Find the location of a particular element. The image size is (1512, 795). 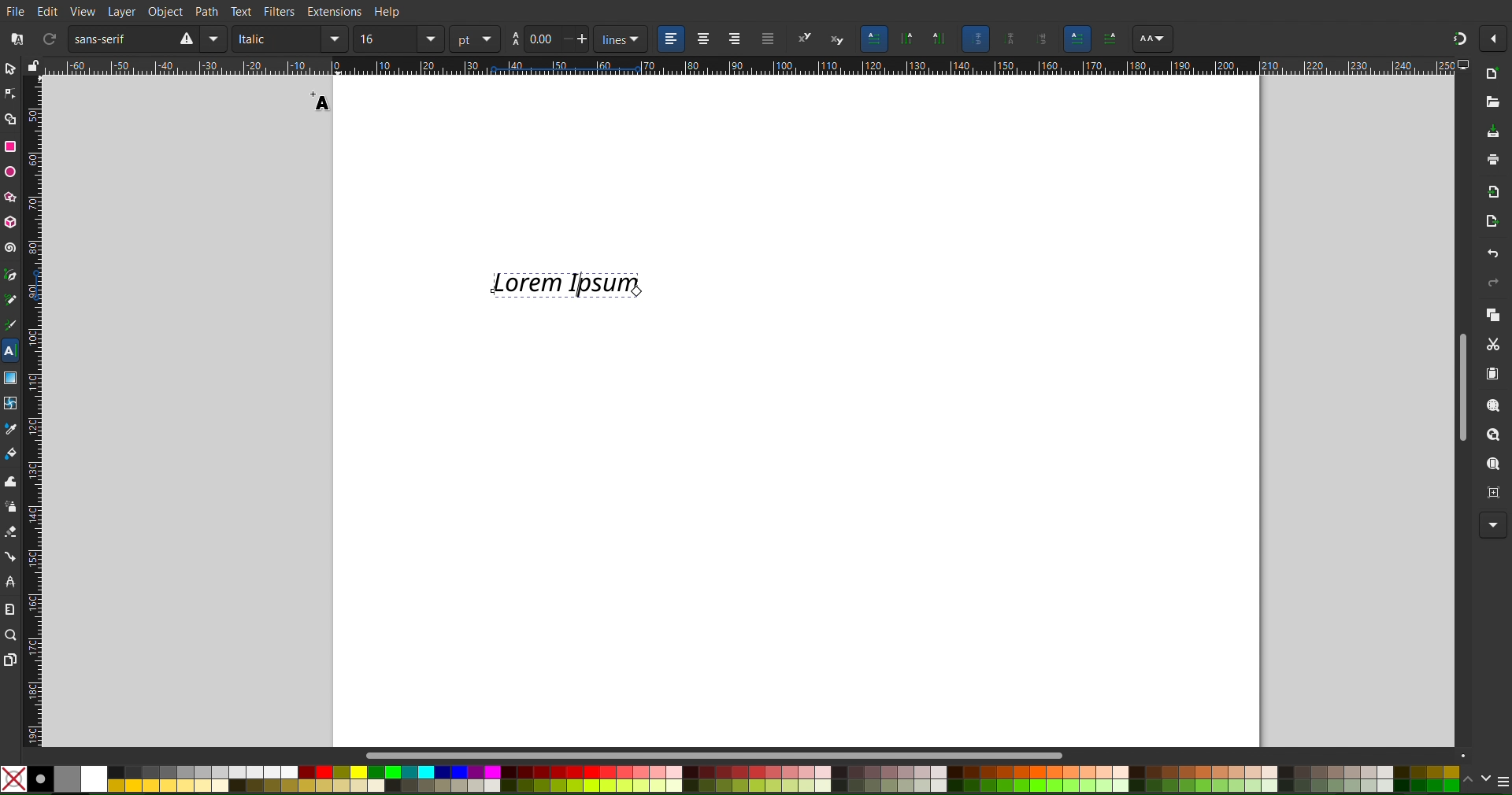

Fill Color is located at coordinates (11, 453).